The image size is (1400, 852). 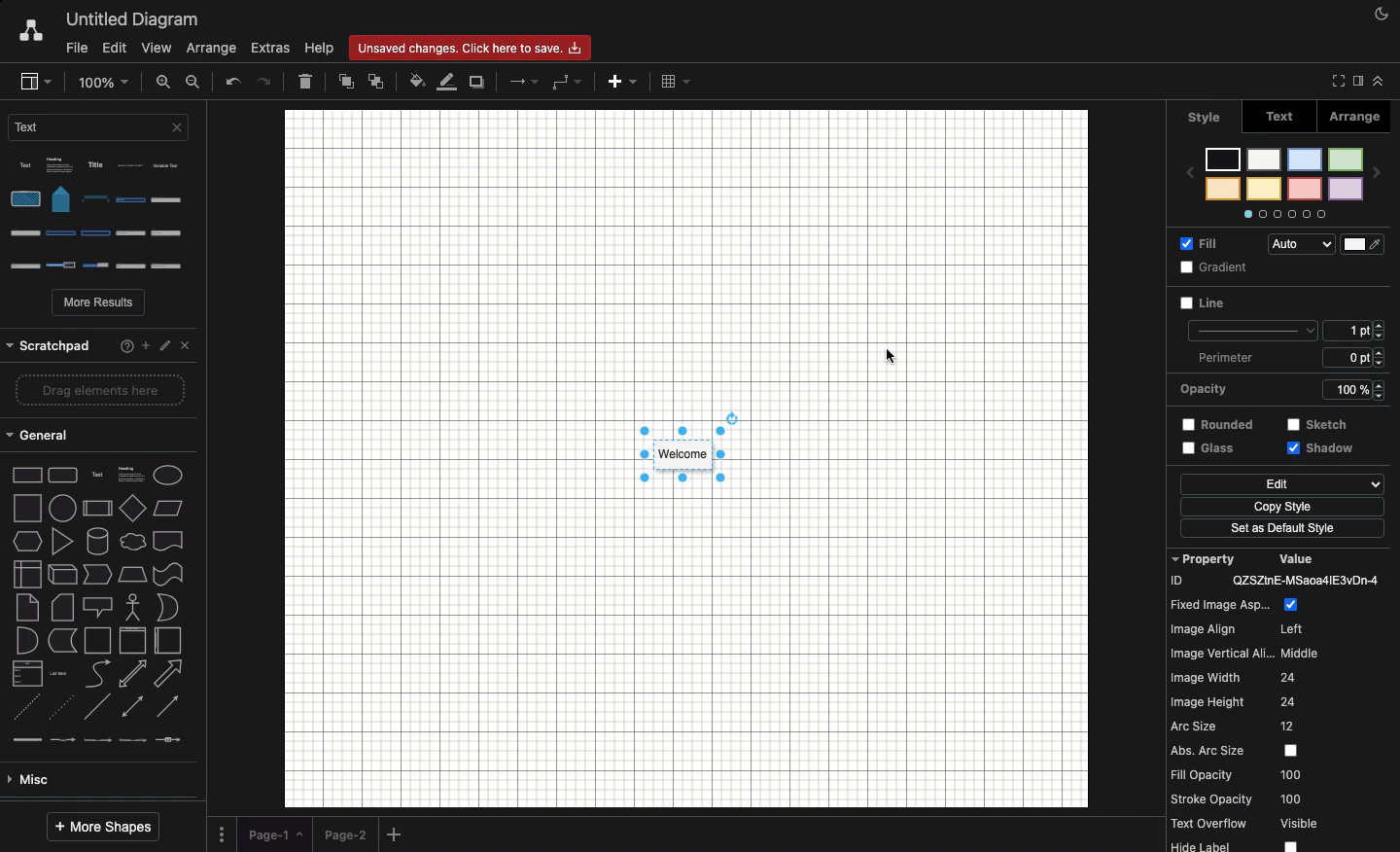 I want to click on Fill color, so click(x=417, y=83).